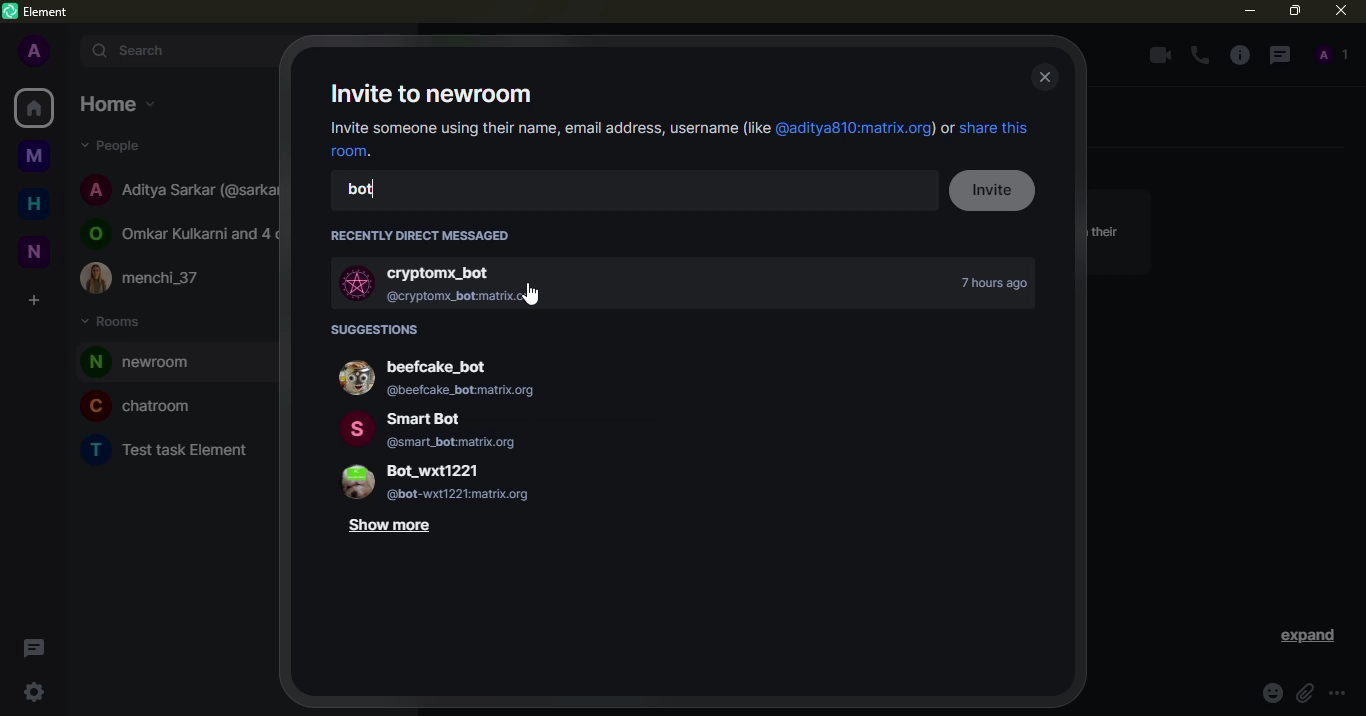  What do you see at coordinates (114, 323) in the screenshot?
I see `rooms` at bounding box center [114, 323].